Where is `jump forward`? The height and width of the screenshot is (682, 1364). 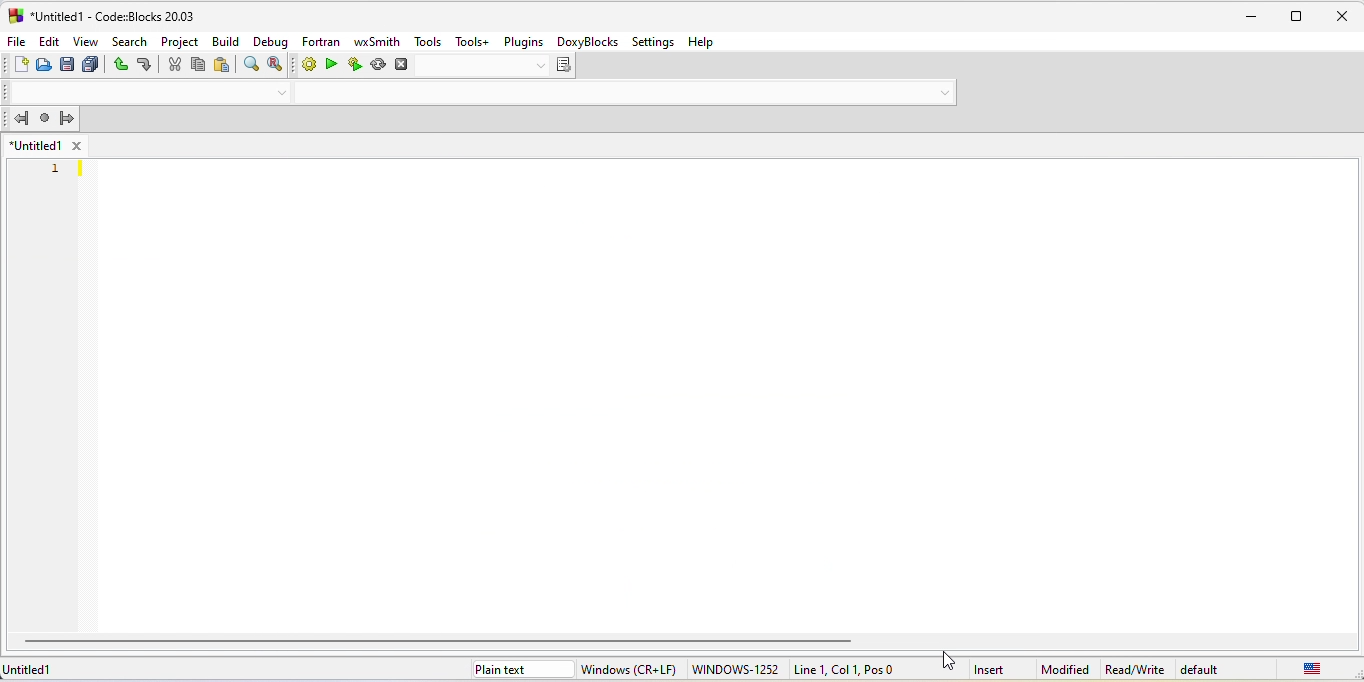
jump forward is located at coordinates (67, 117).